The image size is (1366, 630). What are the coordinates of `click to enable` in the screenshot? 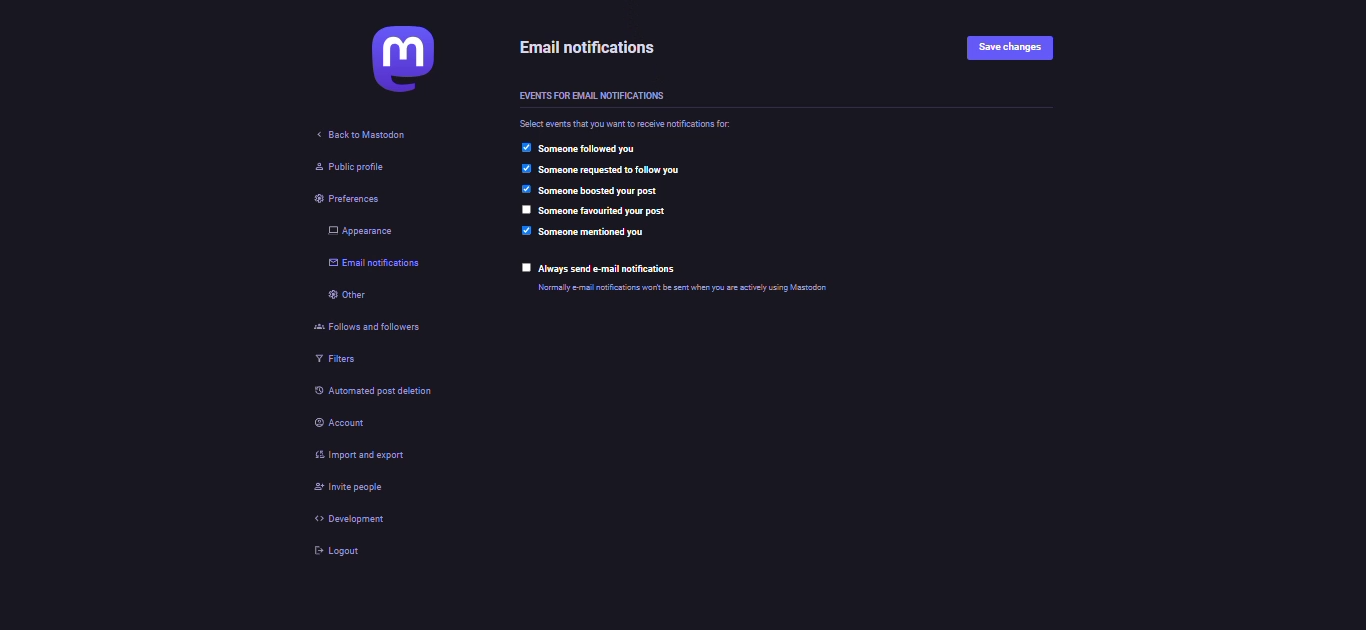 It's located at (526, 267).